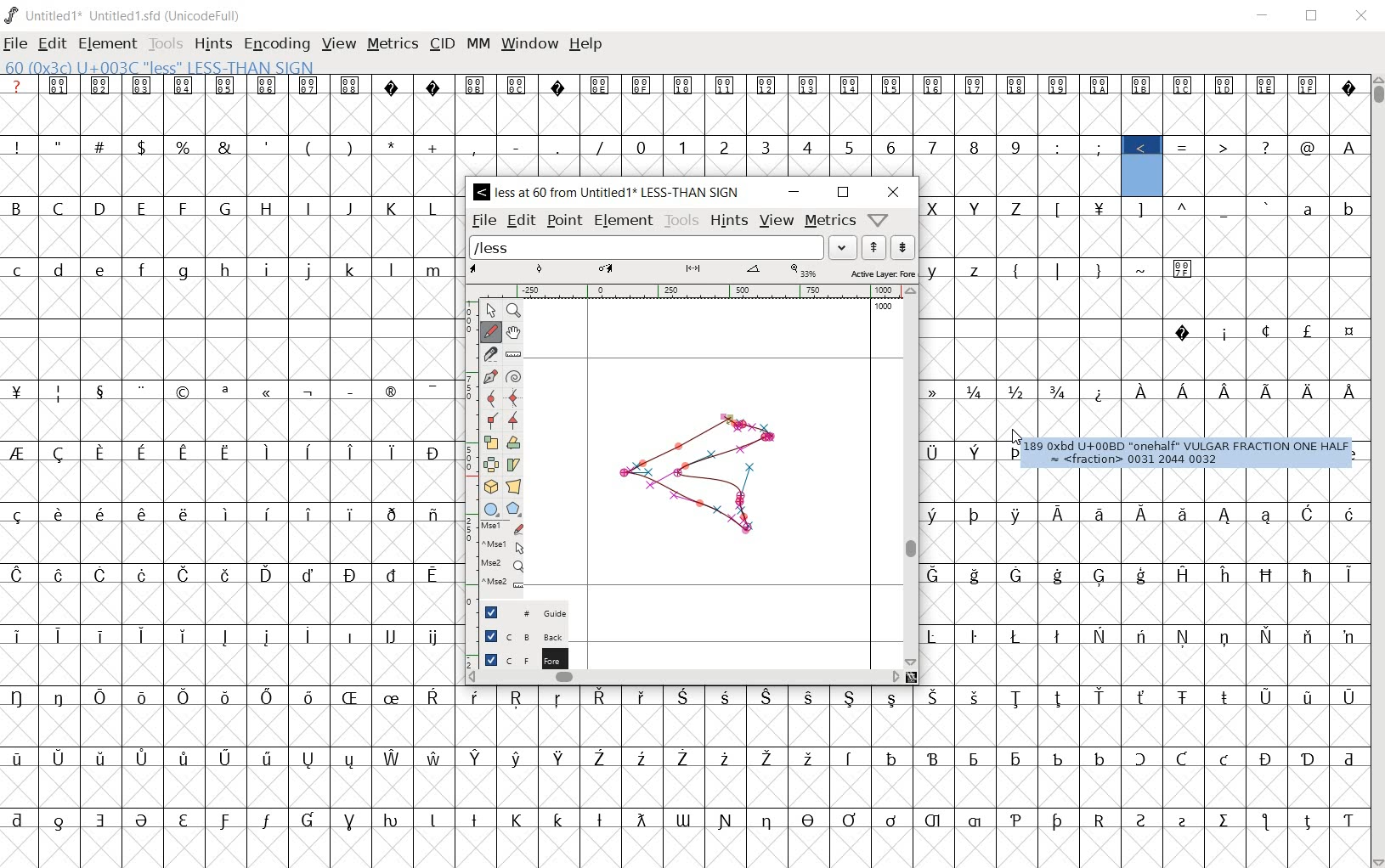 The width and height of the screenshot is (1385, 868). I want to click on empty cells, so click(232, 357).